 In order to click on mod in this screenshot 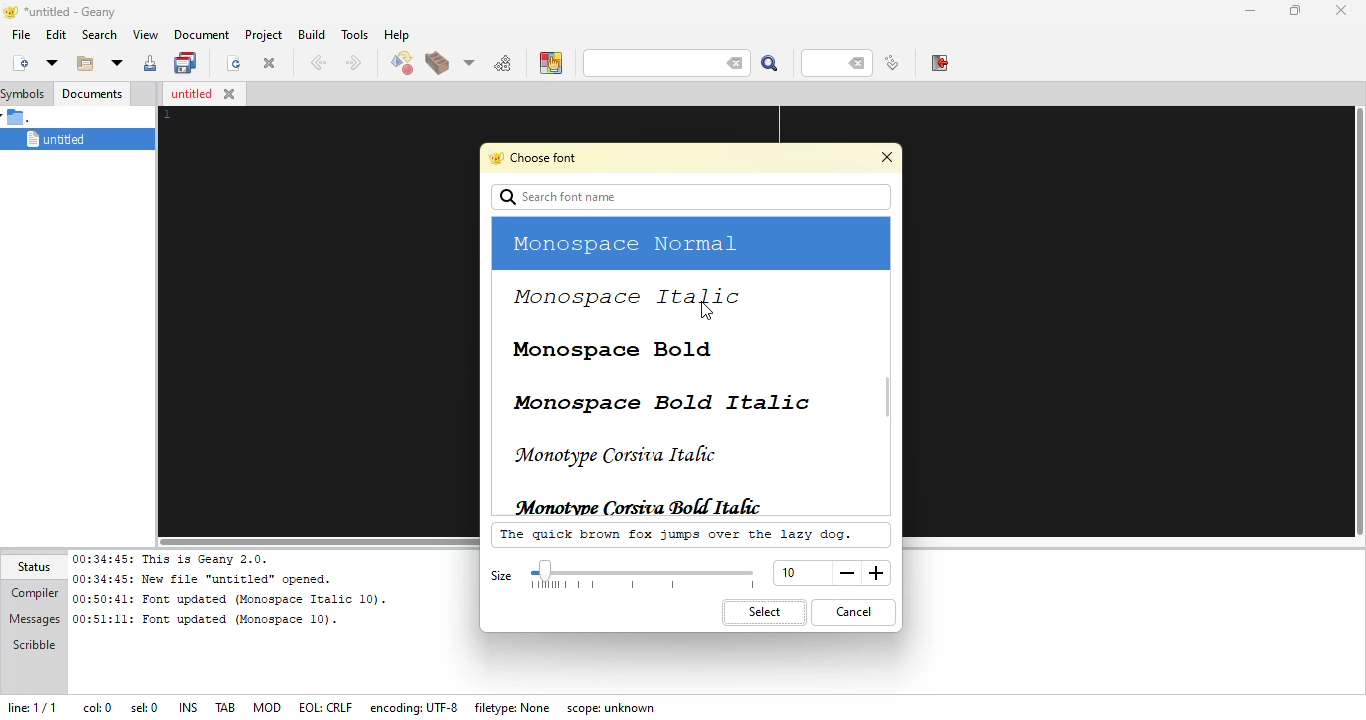, I will do `click(267, 706)`.